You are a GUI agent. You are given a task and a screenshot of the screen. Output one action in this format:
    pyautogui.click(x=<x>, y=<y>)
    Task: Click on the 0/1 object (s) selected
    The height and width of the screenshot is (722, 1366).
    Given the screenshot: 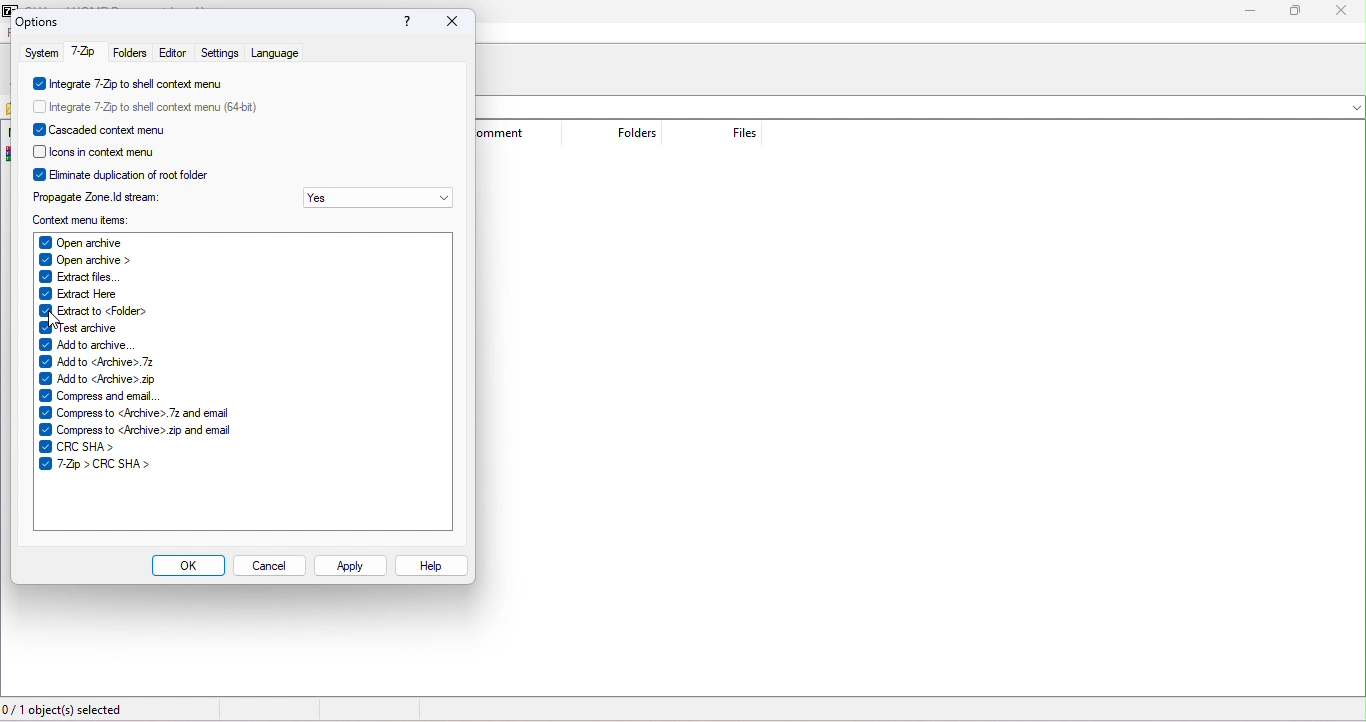 What is the action you would take?
    pyautogui.click(x=66, y=711)
    